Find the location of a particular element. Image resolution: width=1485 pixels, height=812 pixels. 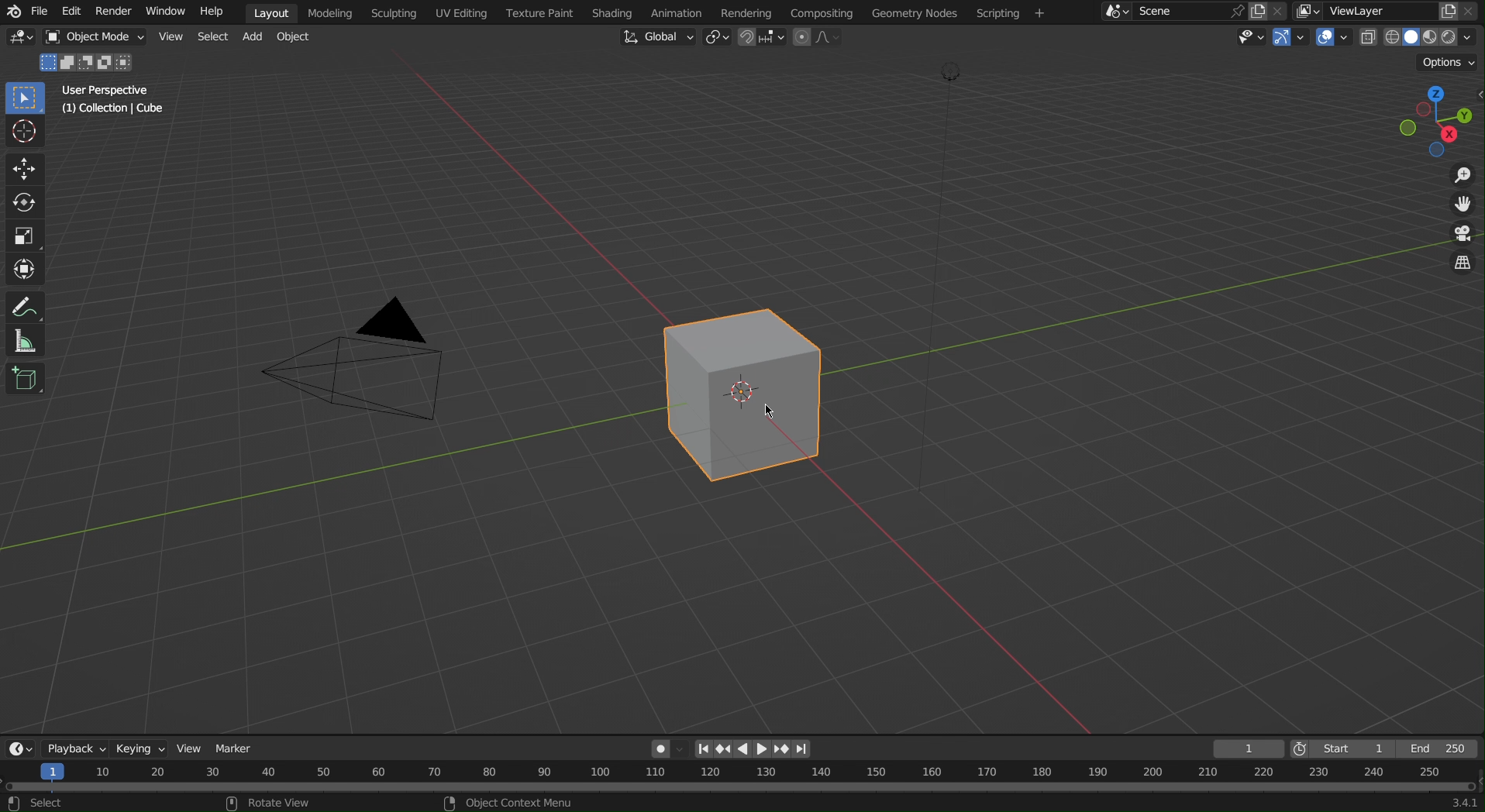

Scripting is located at coordinates (1008, 13).